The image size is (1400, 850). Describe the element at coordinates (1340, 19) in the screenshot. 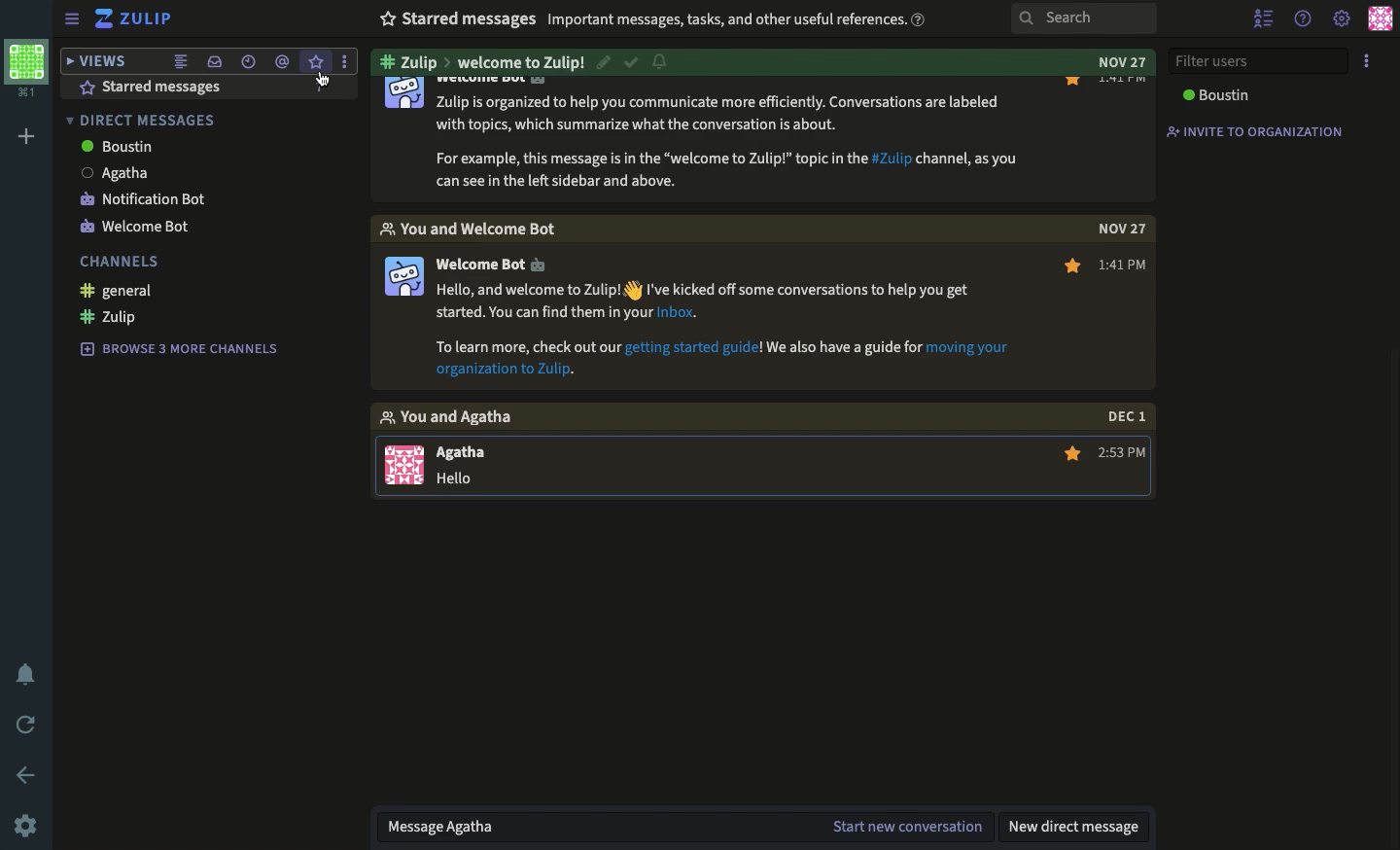

I see `settings` at that location.